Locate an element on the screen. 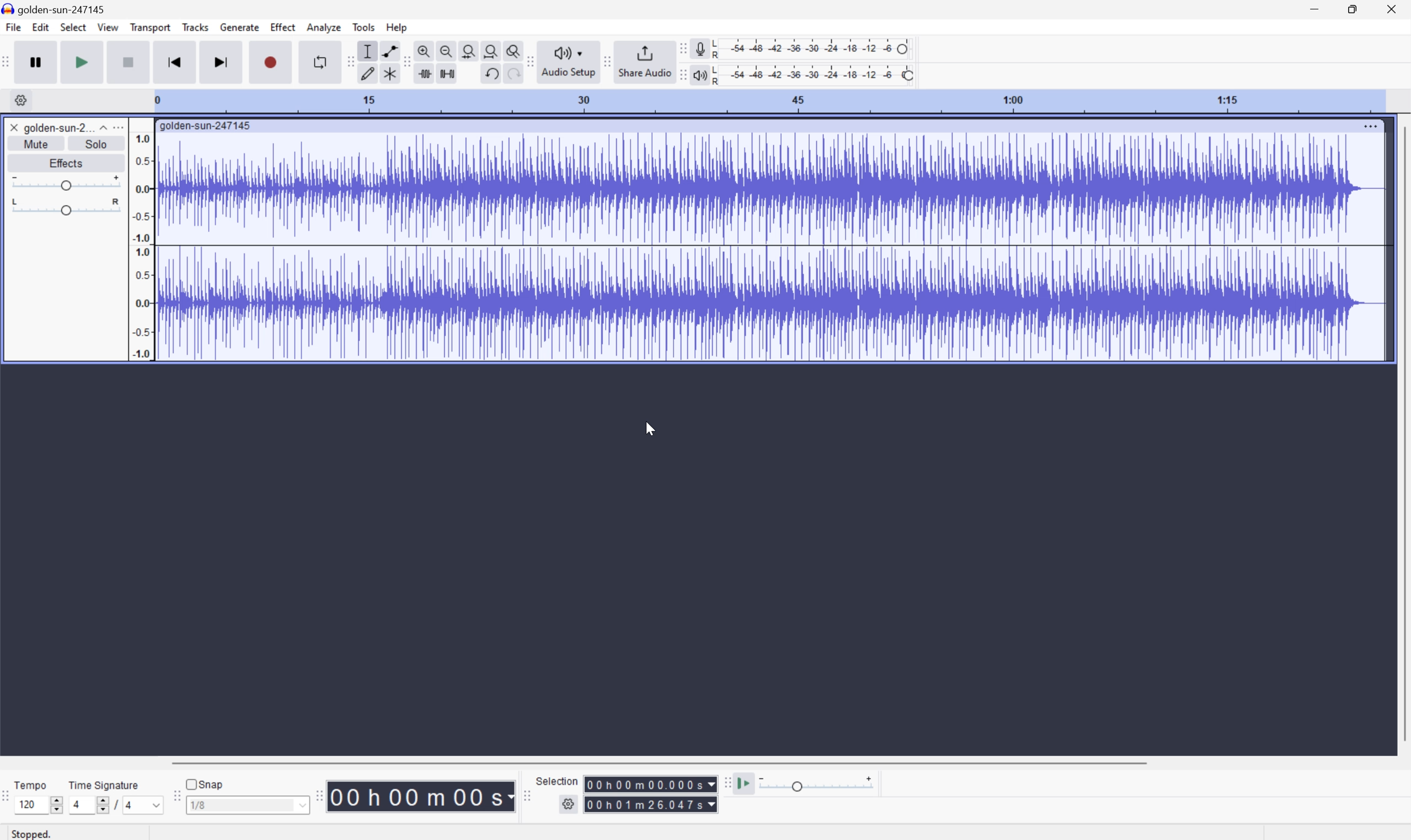 The width and height of the screenshot is (1411, 840). Stopped is located at coordinates (33, 833).